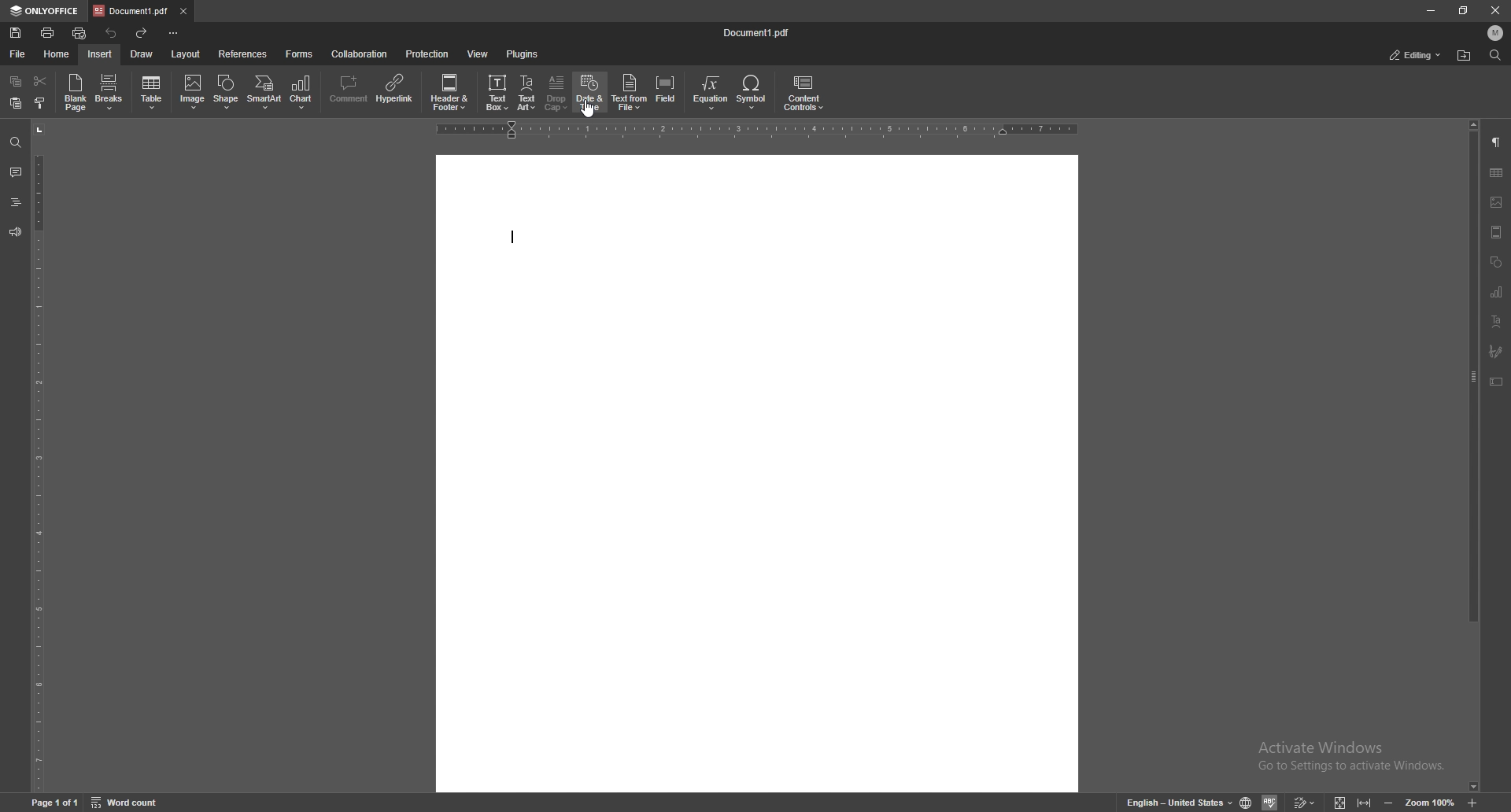  Describe the element at coordinates (173, 34) in the screenshot. I see `customize toolbar` at that location.